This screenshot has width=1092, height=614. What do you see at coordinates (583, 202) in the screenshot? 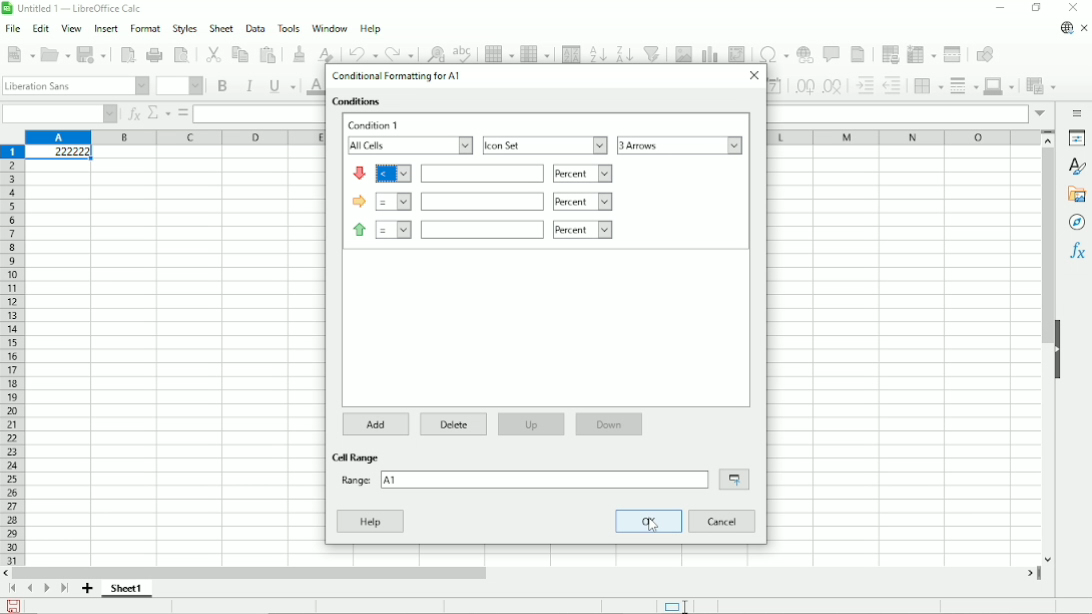
I see `percent` at bounding box center [583, 202].